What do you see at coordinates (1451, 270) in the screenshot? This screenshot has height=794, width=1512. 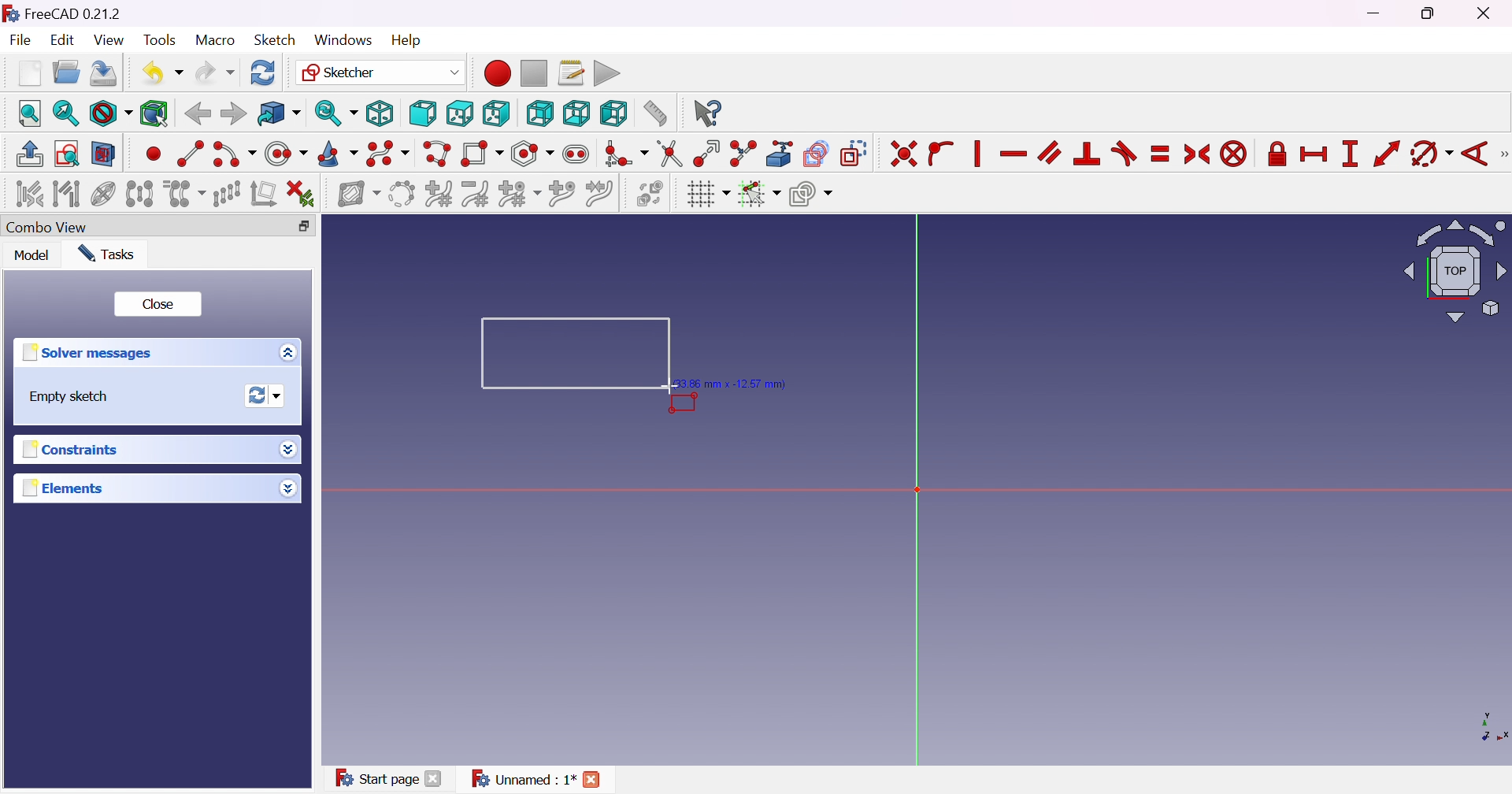 I see `Viewing angle` at bounding box center [1451, 270].